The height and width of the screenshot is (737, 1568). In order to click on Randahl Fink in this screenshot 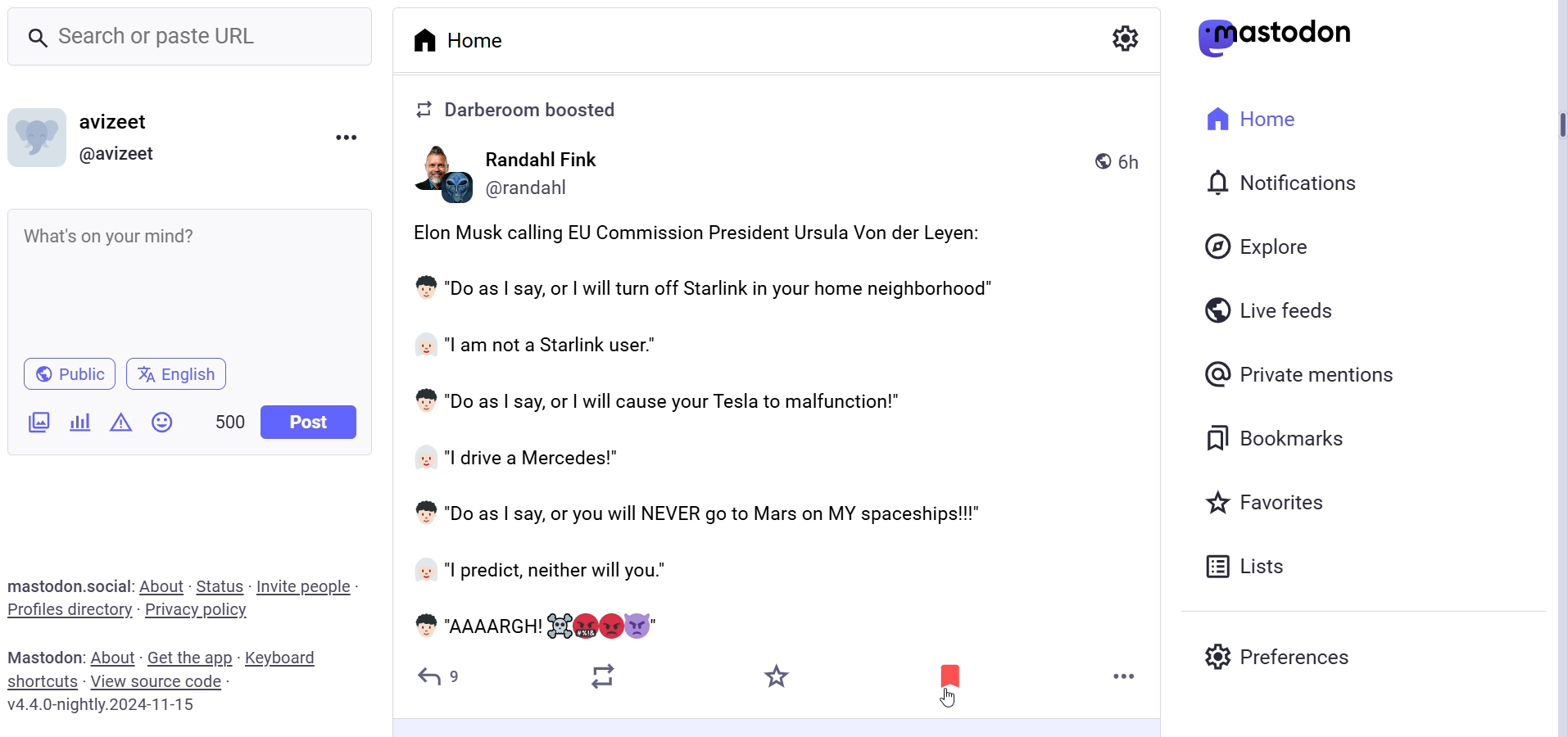, I will do `click(561, 160)`.